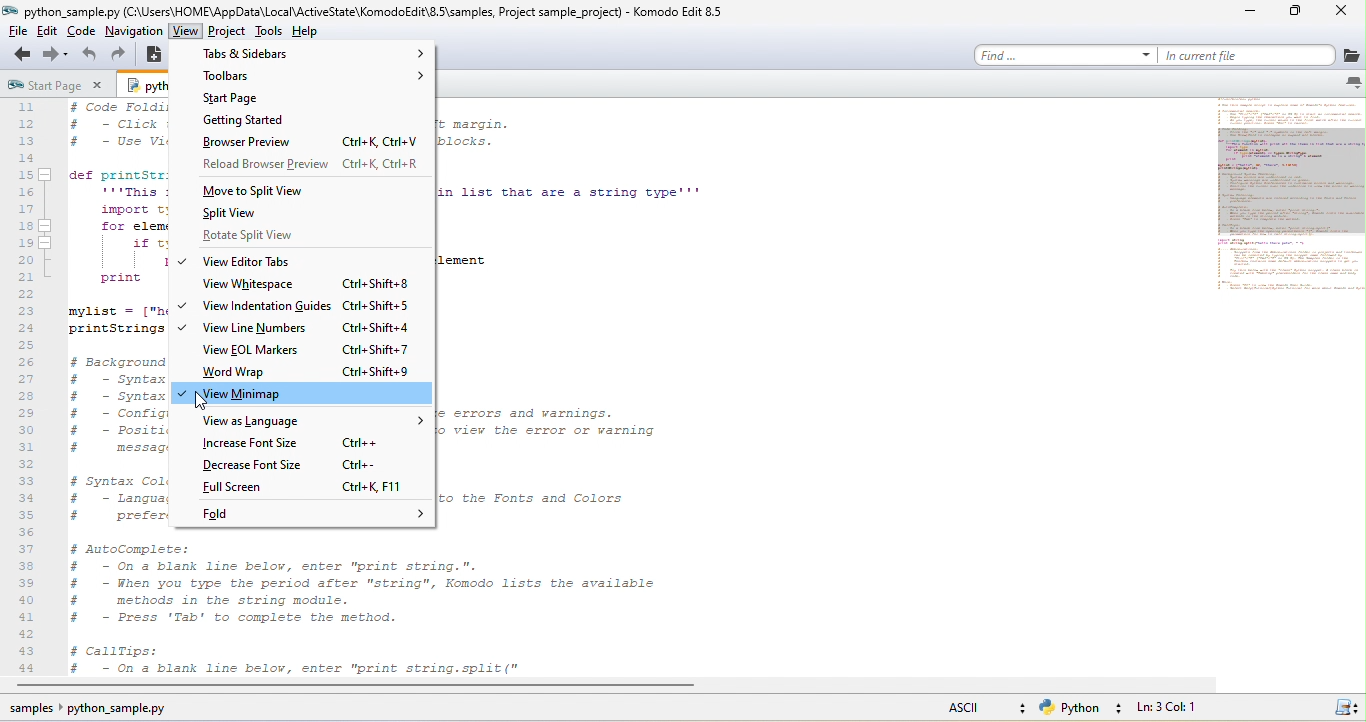 The image size is (1366, 722). What do you see at coordinates (1277, 199) in the screenshot?
I see `mini map` at bounding box center [1277, 199].